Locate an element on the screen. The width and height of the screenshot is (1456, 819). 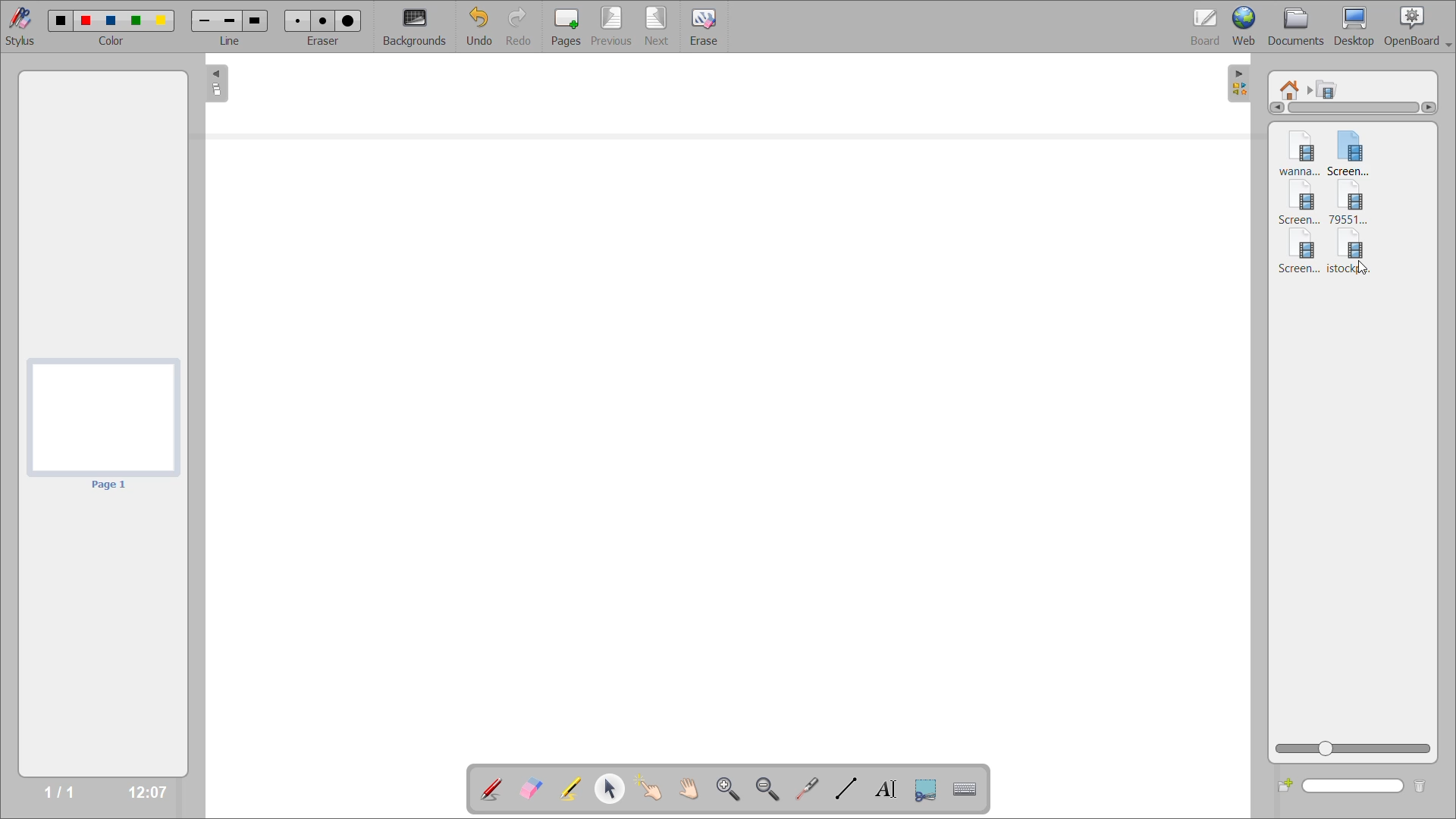
zoom out is located at coordinates (769, 789).